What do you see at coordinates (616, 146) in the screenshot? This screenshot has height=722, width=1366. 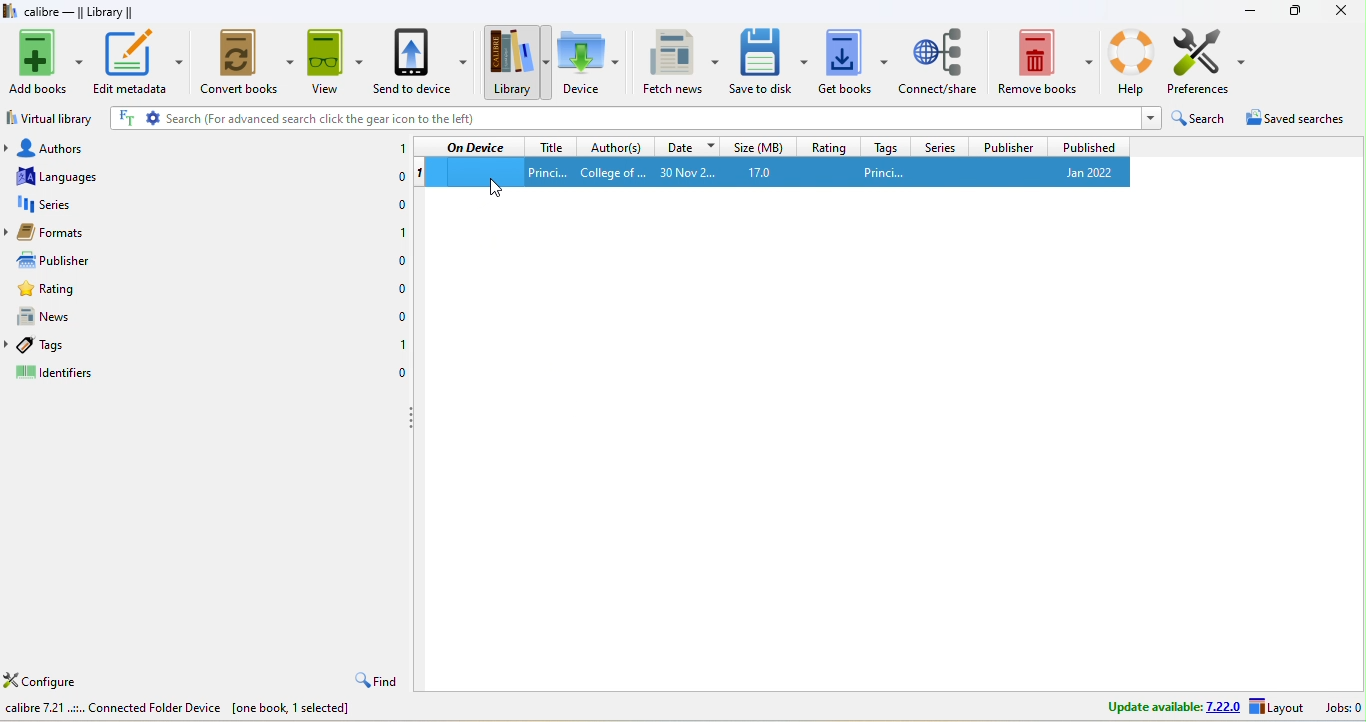 I see `author(s)` at bounding box center [616, 146].